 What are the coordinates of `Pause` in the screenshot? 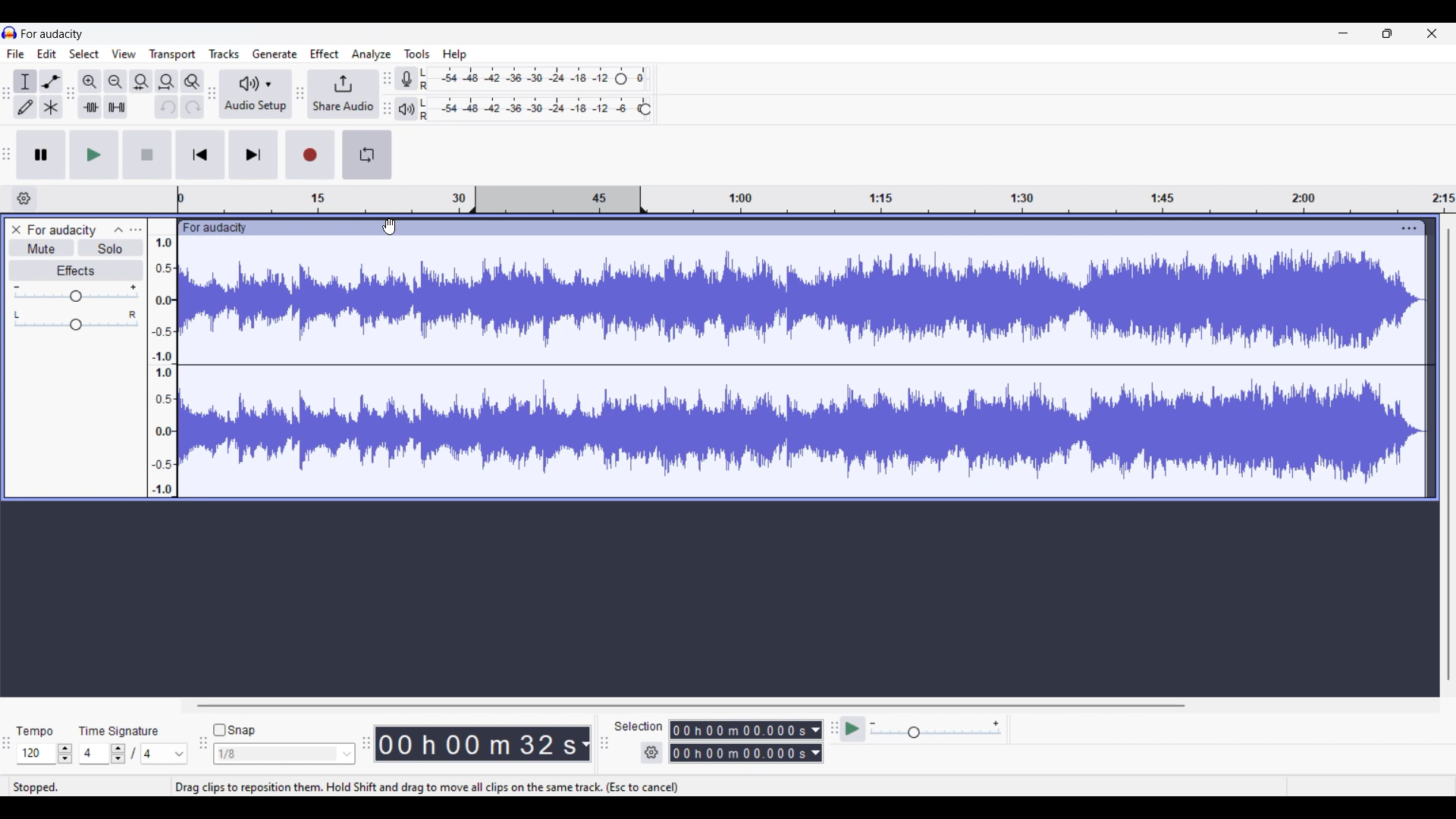 It's located at (41, 155).